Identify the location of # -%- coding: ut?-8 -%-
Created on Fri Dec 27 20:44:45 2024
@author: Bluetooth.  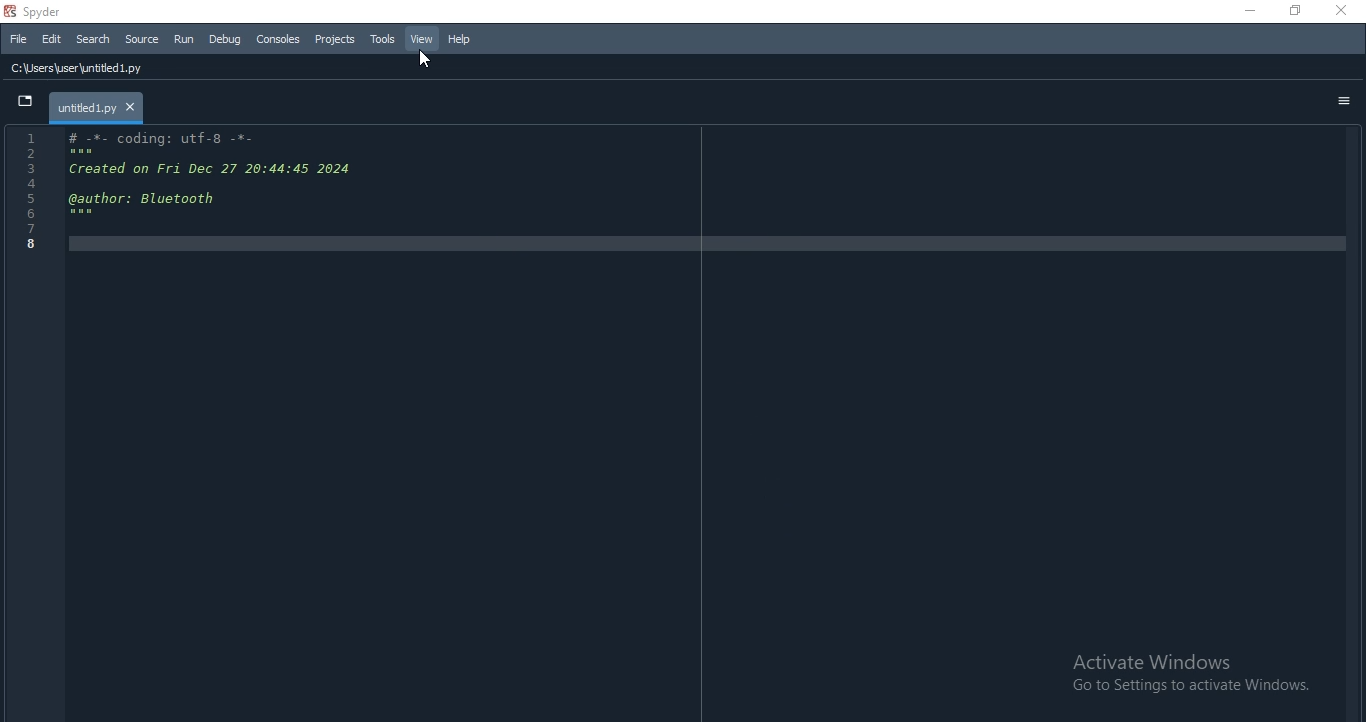
(681, 268).